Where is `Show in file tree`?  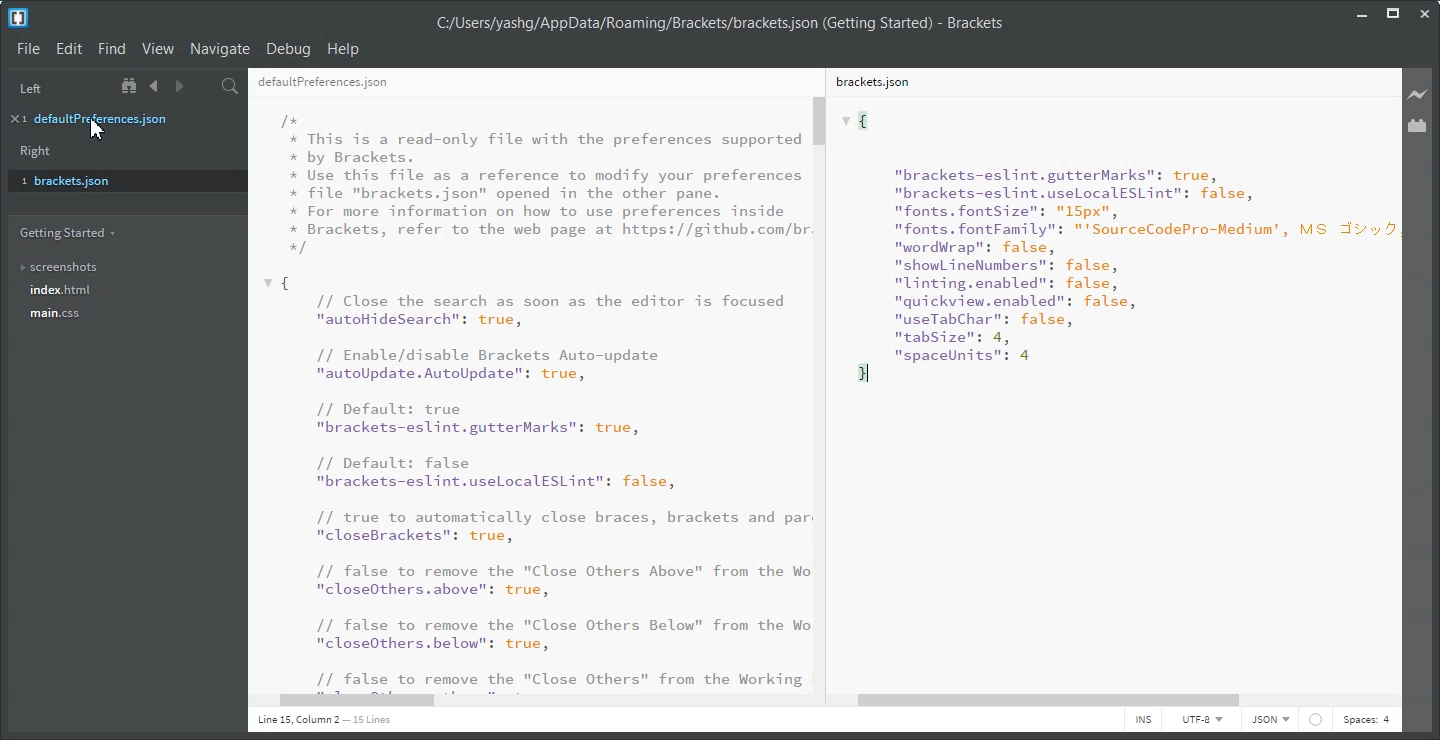 Show in file tree is located at coordinates (129, 86).